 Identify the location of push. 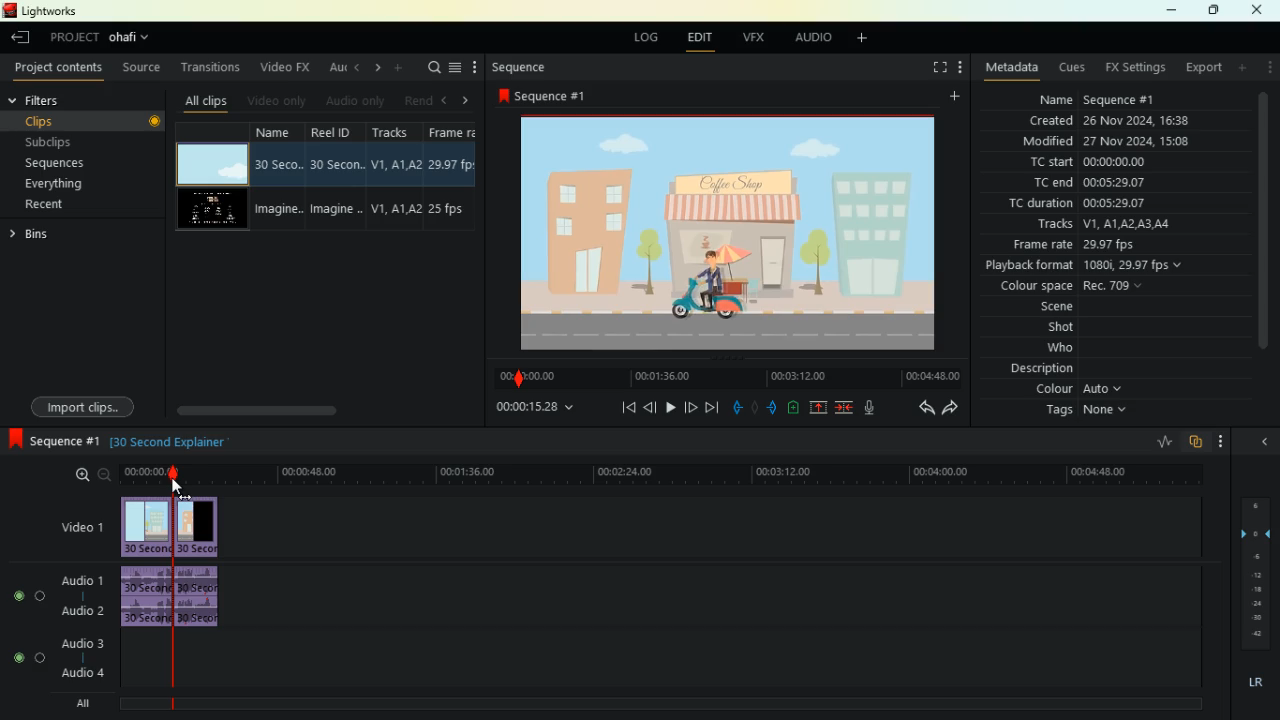
(771, 407).